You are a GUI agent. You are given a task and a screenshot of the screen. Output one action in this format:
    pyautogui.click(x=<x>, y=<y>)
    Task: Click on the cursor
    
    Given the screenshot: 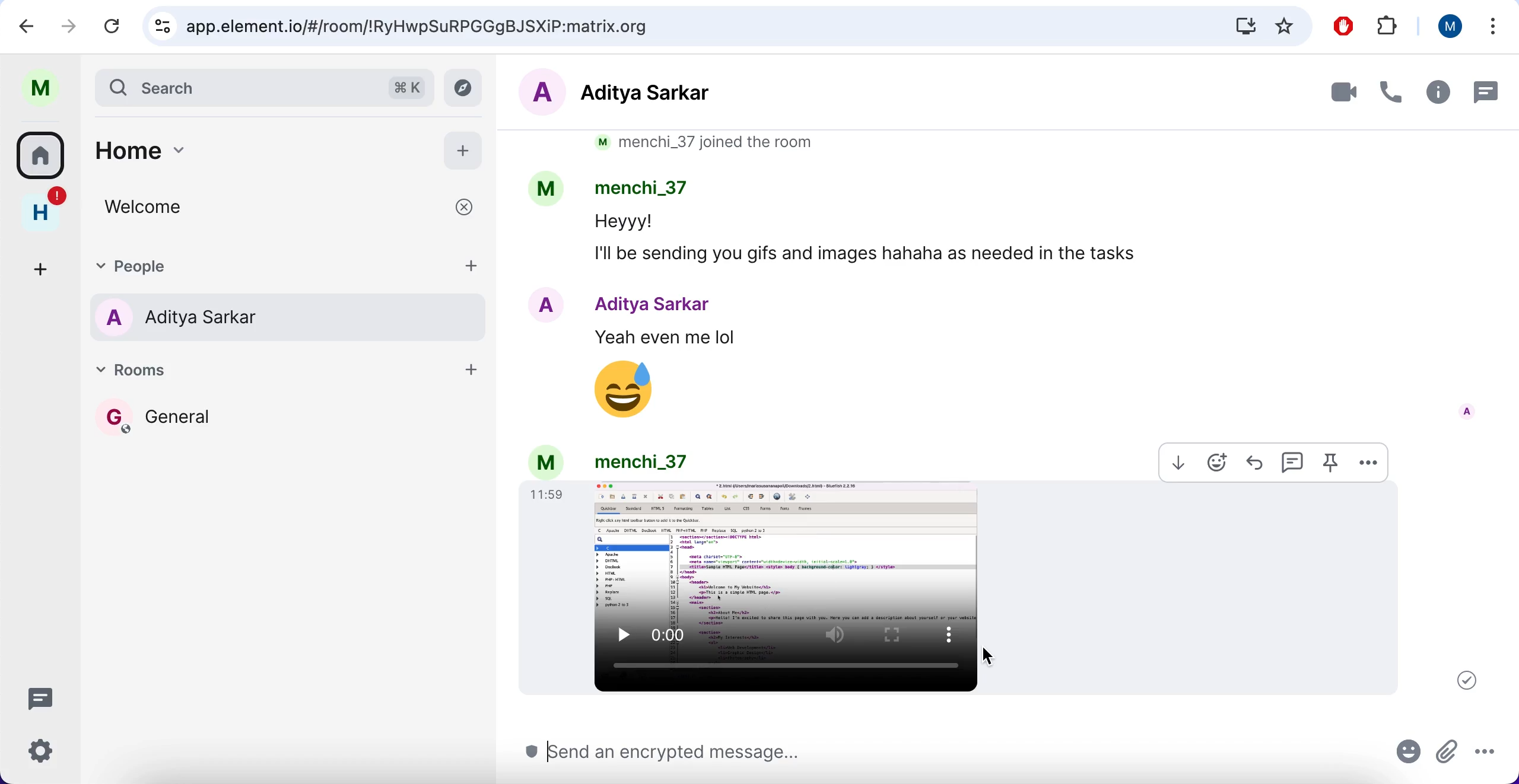 What is the action you would take?
    pyautogui.click(x=990, y=656)
    